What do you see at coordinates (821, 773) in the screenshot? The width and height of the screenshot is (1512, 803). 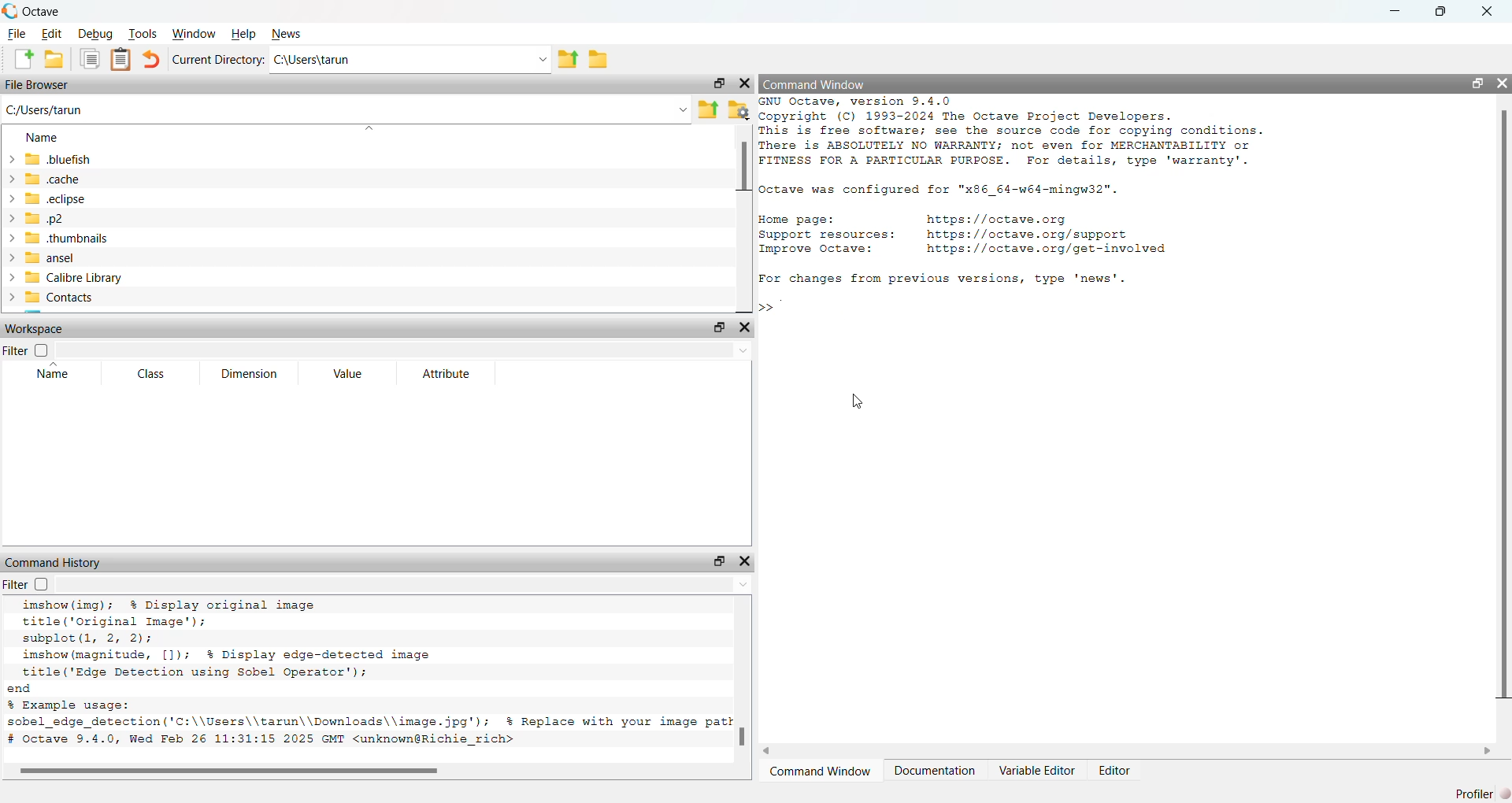 I see `Command Window` at bounding box center [821, 773].